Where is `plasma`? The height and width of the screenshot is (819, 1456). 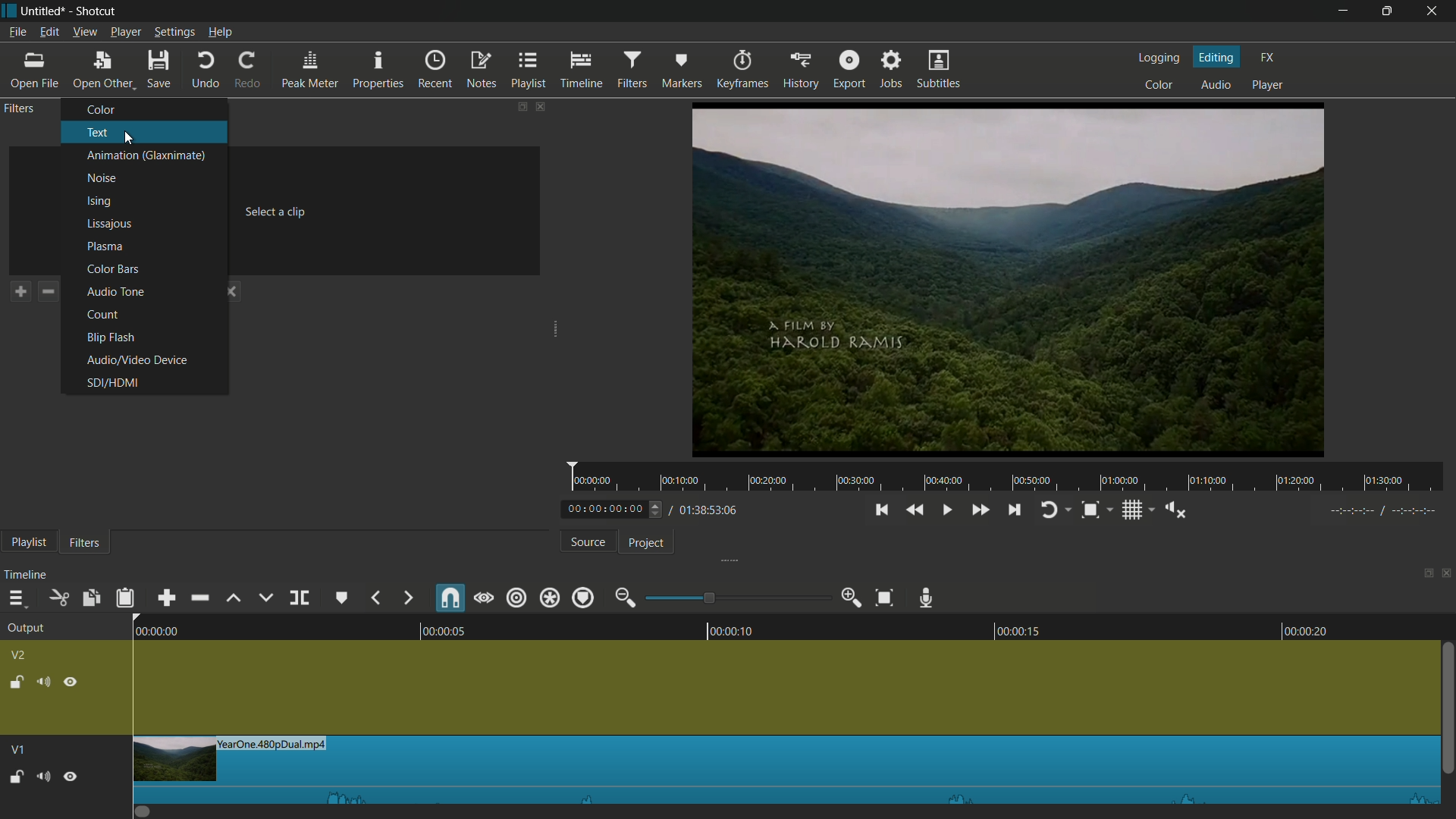
plasma is located at coordinates (102, 246).